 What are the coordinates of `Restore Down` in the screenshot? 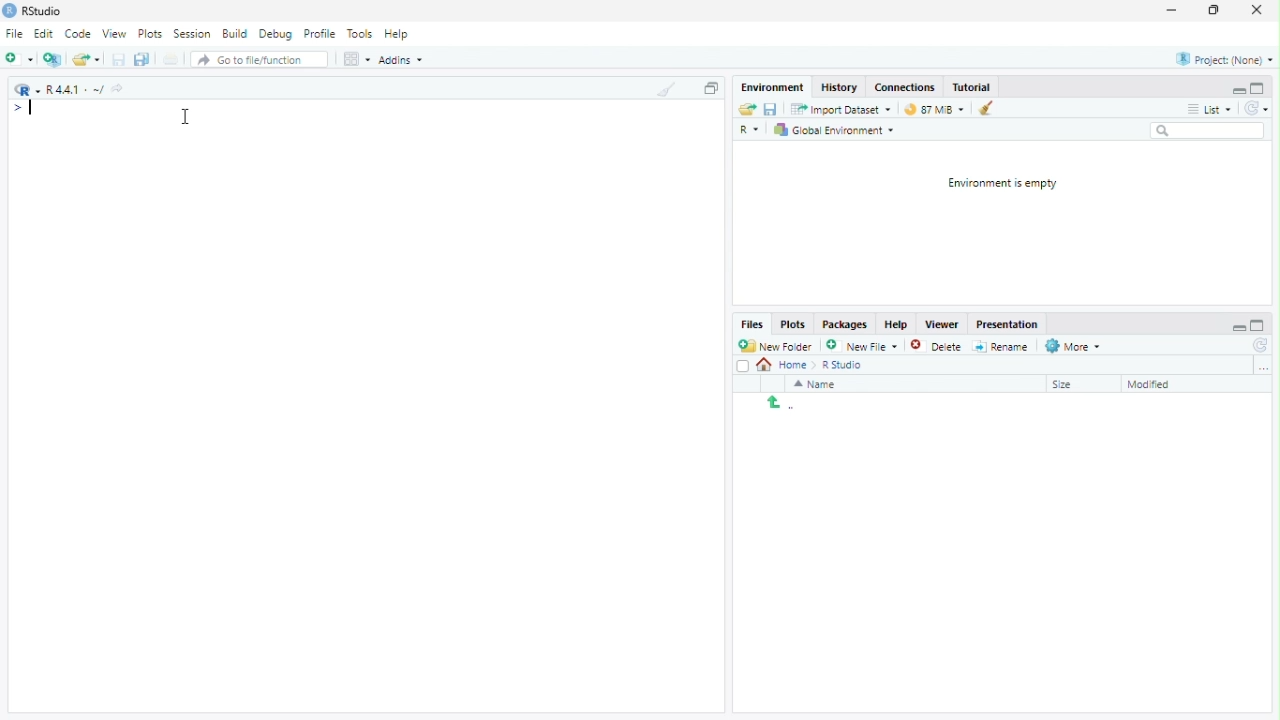 It's located at (1216, 11).